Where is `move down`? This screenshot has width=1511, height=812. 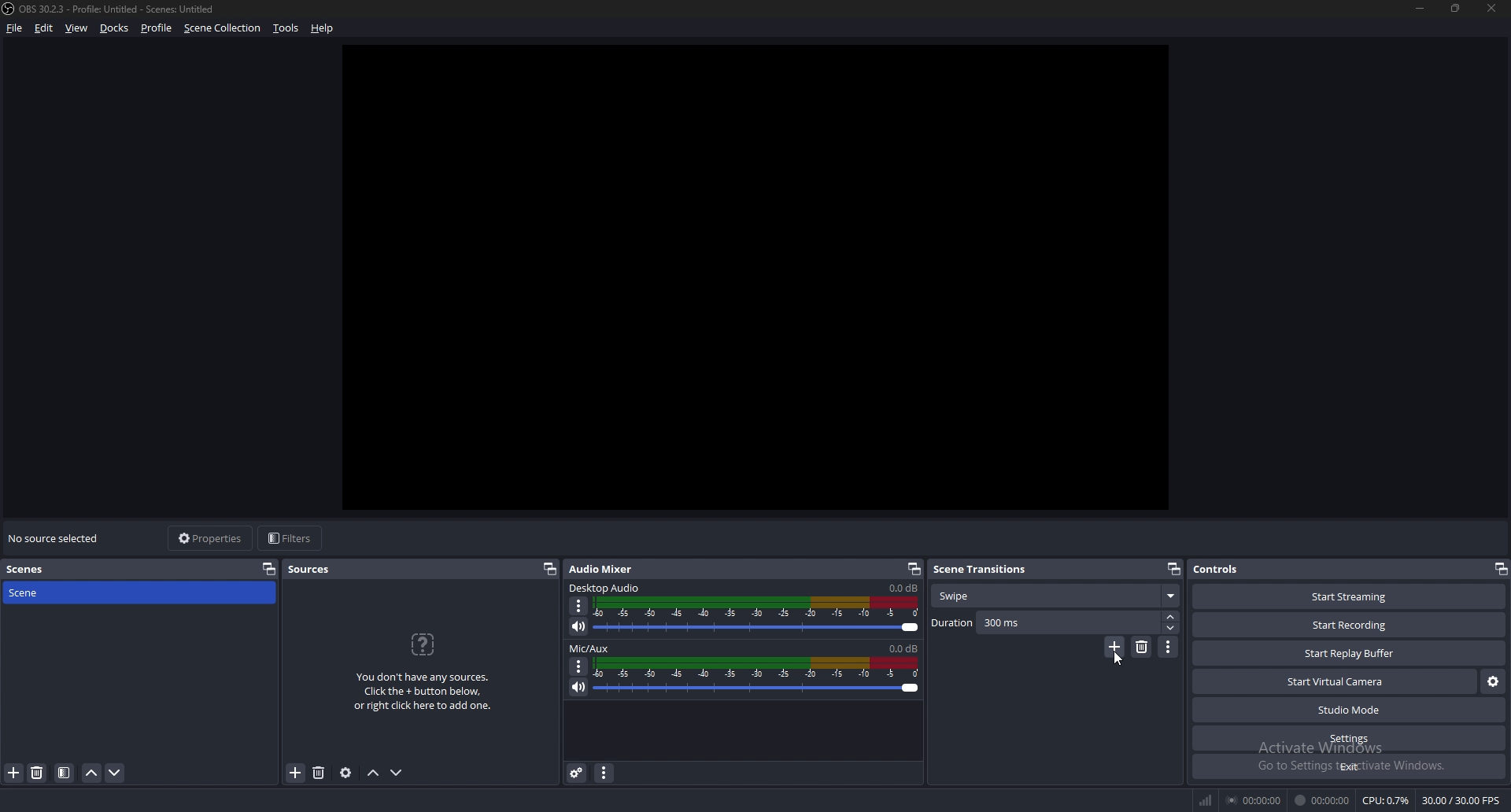
move down is located at coordinates (397, 773).